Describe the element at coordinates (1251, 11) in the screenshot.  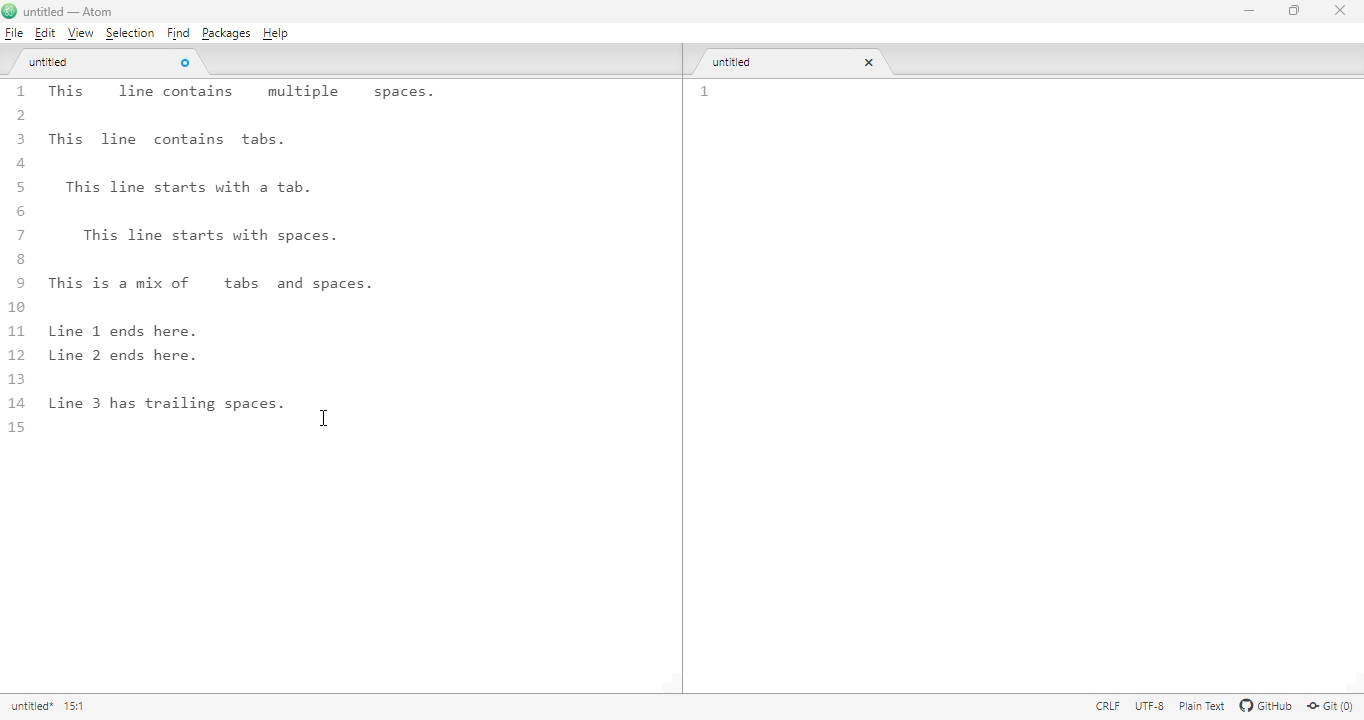
I see `minimize` at that location.